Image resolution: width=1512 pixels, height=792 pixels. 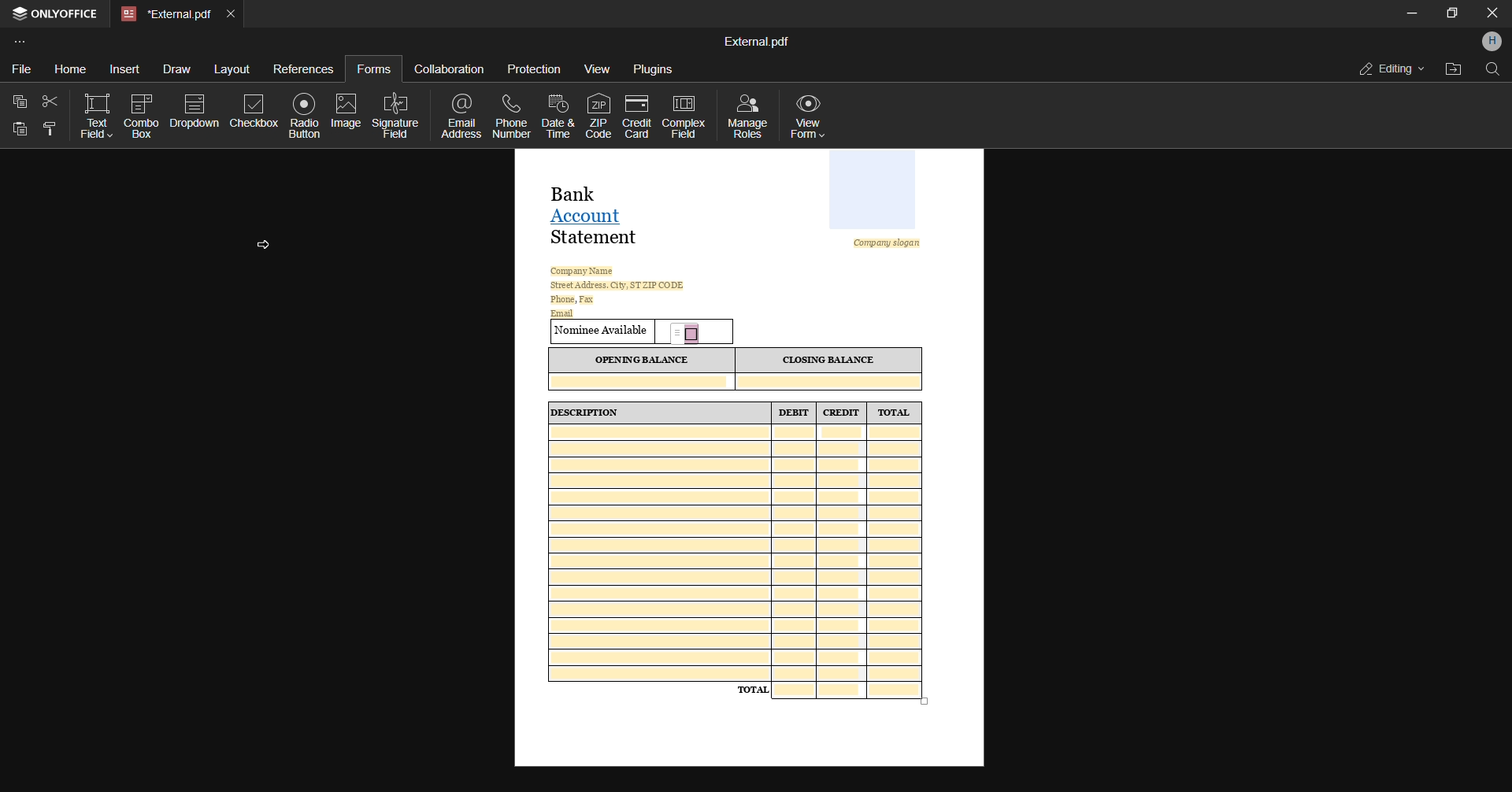 I want to click on close current tab, so click(x=235, y=13).